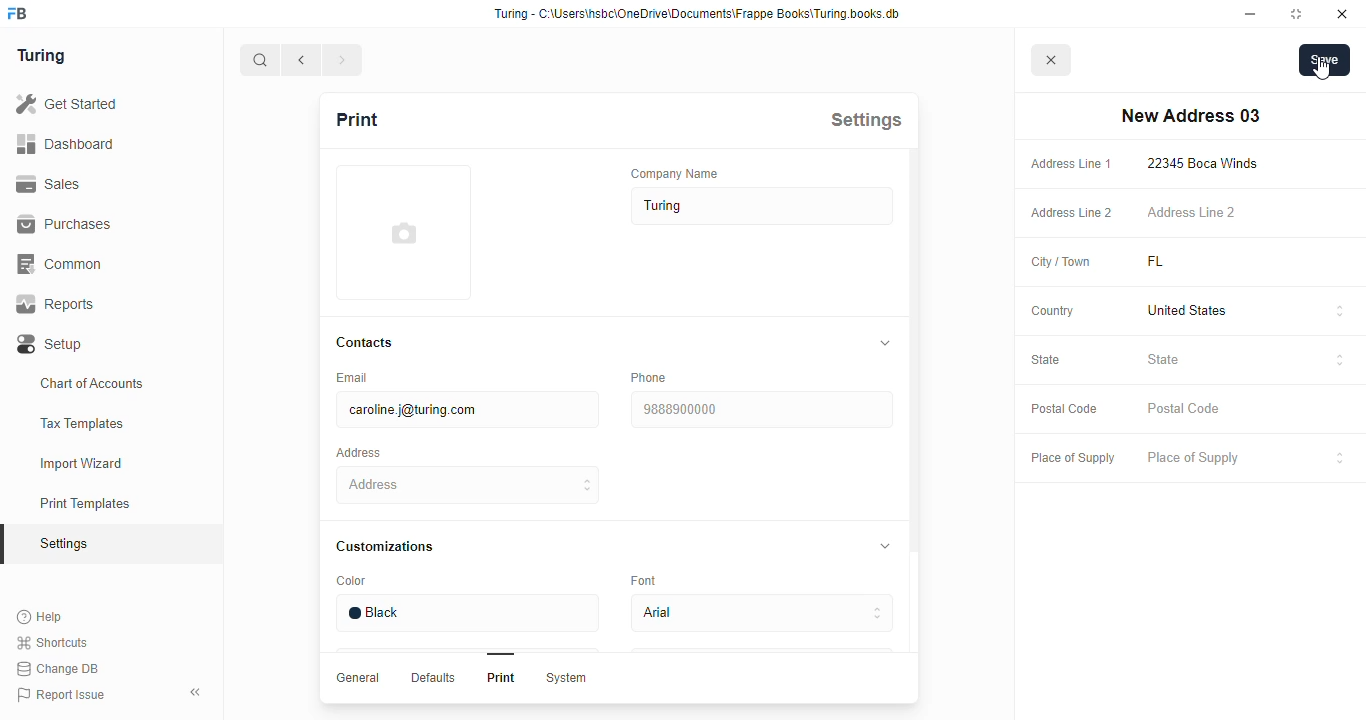 The width and height of the screenshot is (1366, 720). What do you see at coordinates (501, 677) in the screenshot?
I see `Print` at bounding box center [501, 677].